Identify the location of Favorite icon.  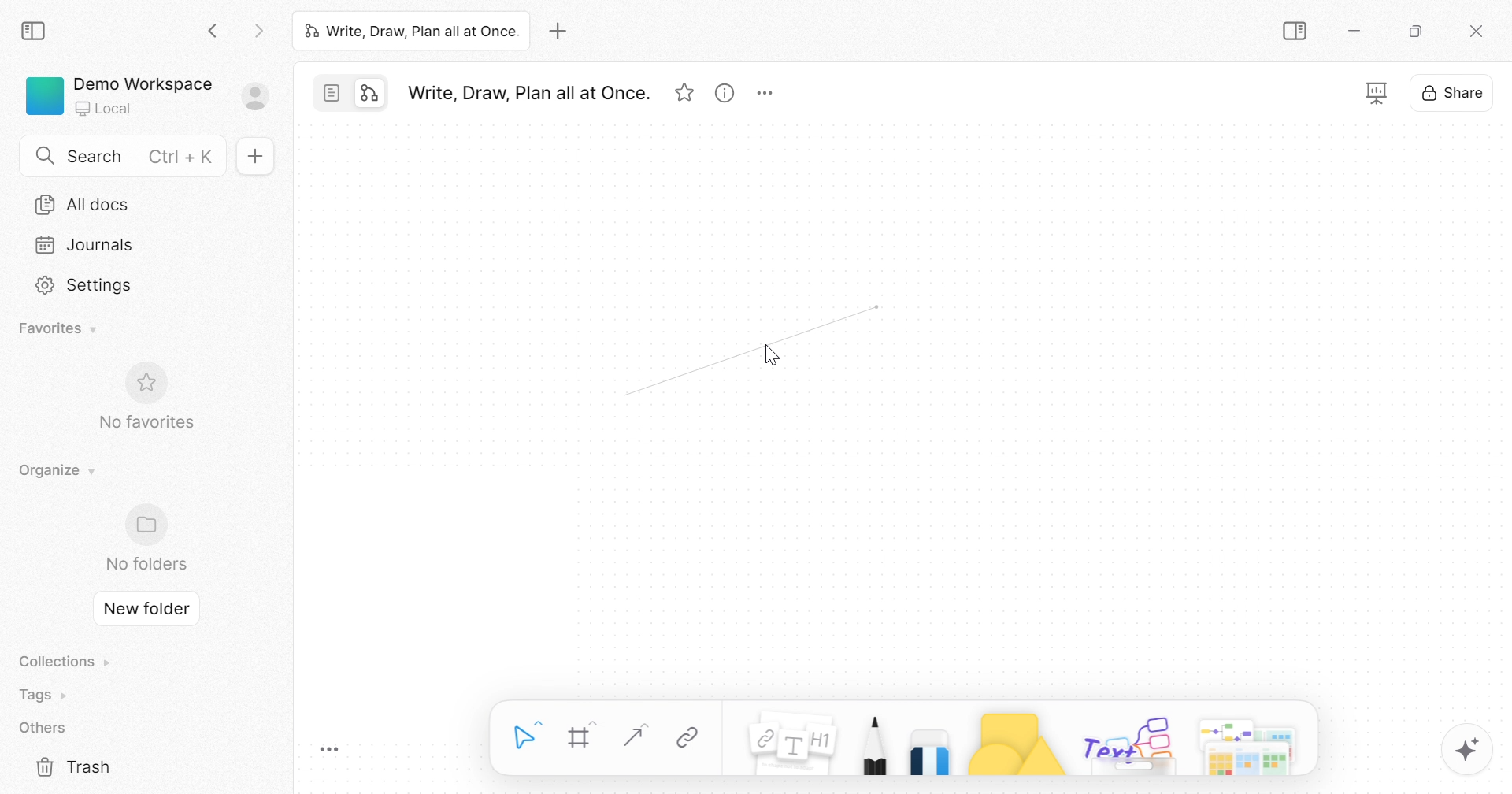
(150, 383).